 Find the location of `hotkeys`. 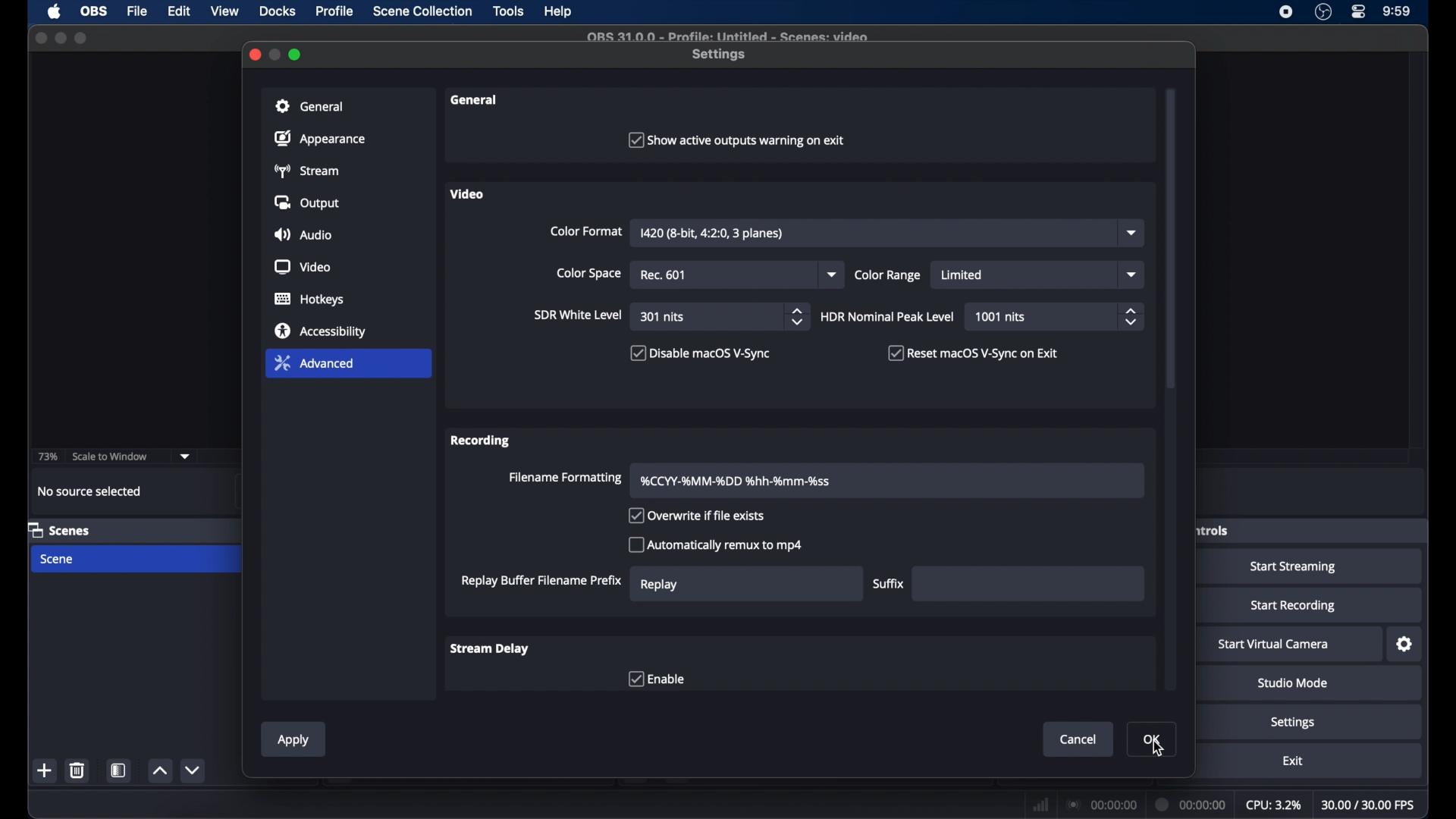

hotkeys is located at coordinates (309, 300).